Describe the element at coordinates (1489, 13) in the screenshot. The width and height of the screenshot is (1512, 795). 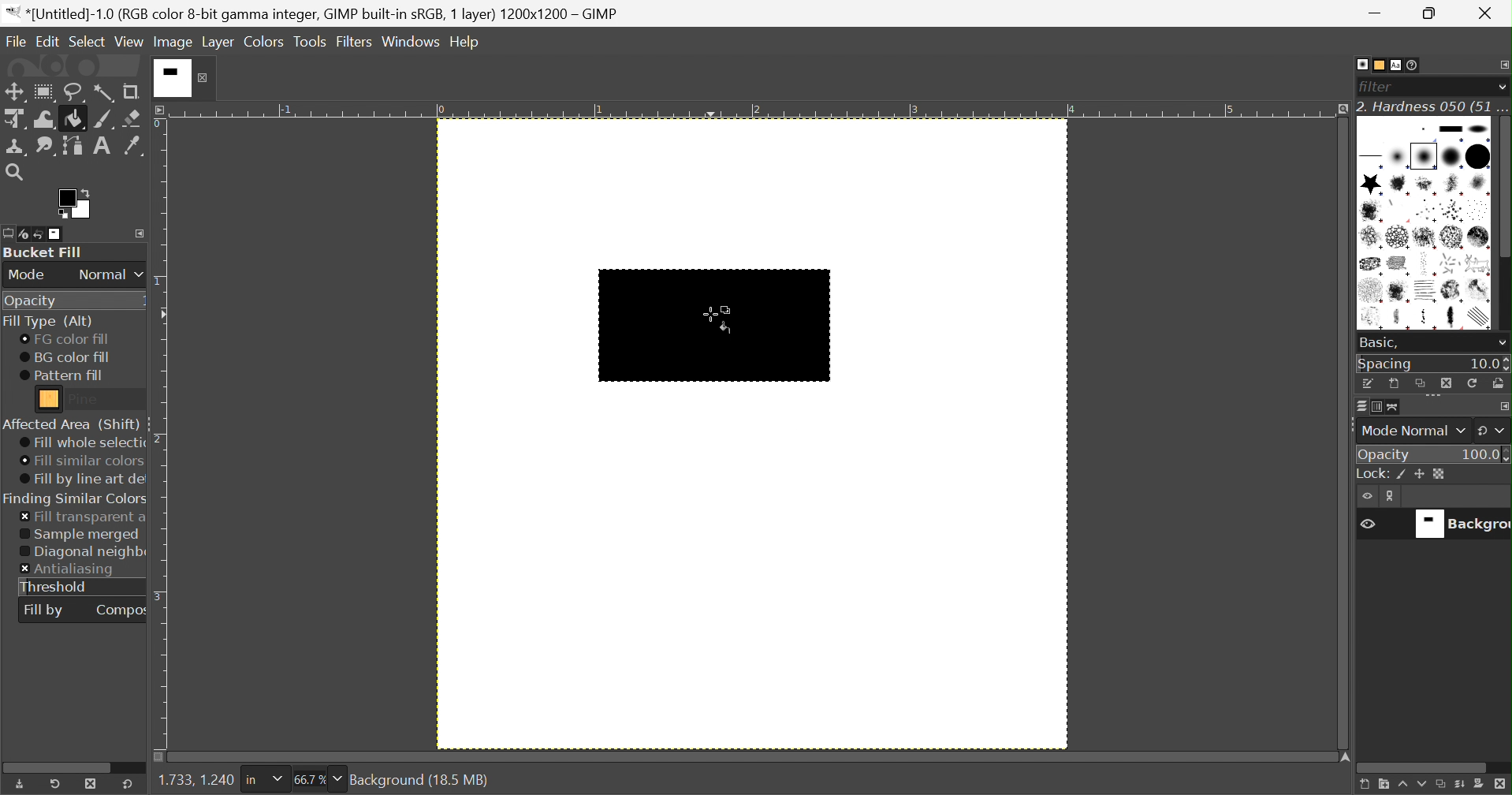
I see `Close` at that location.